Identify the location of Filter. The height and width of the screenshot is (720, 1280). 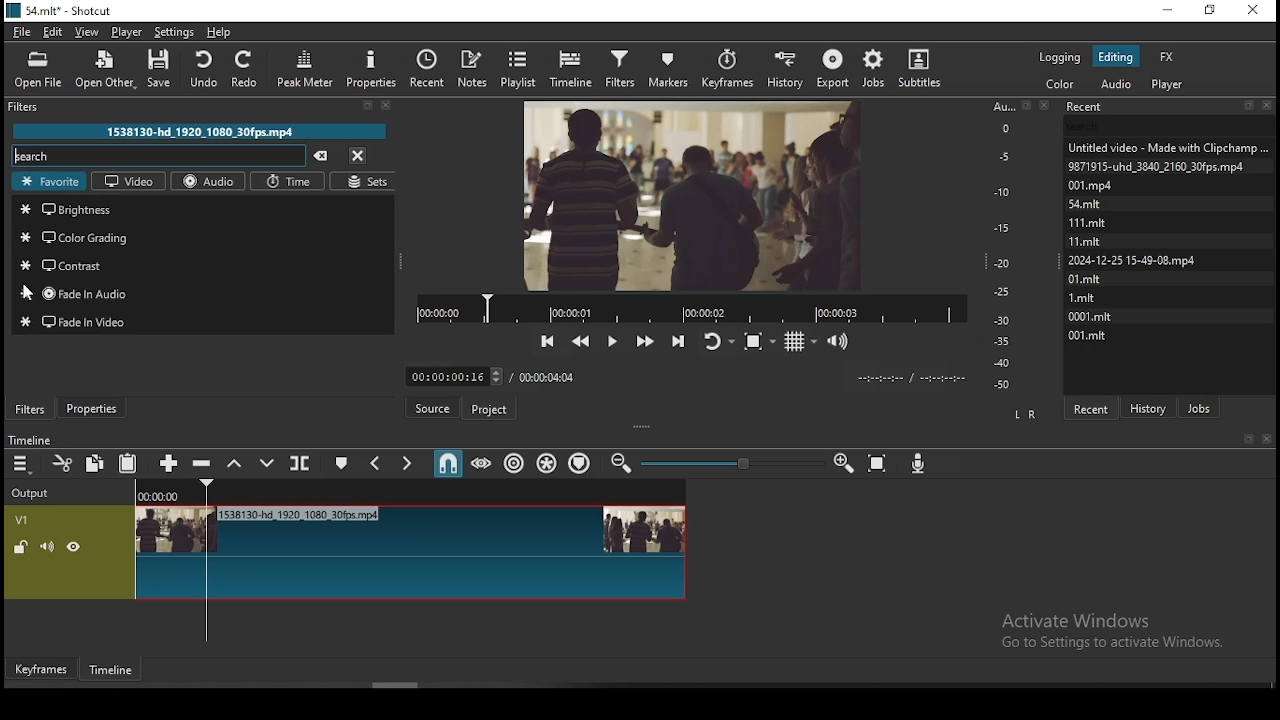
(207, 107).